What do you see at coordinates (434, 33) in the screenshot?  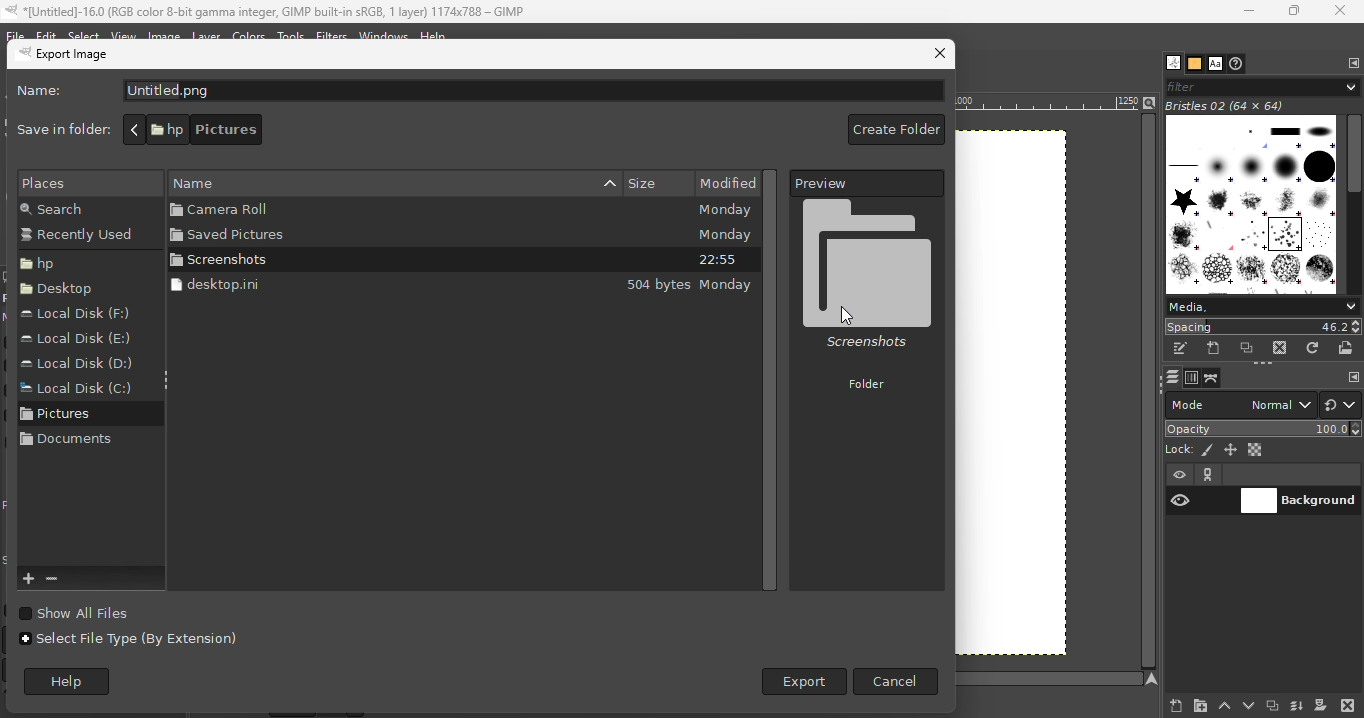 I see `Help` at bounding box center [434, 33].